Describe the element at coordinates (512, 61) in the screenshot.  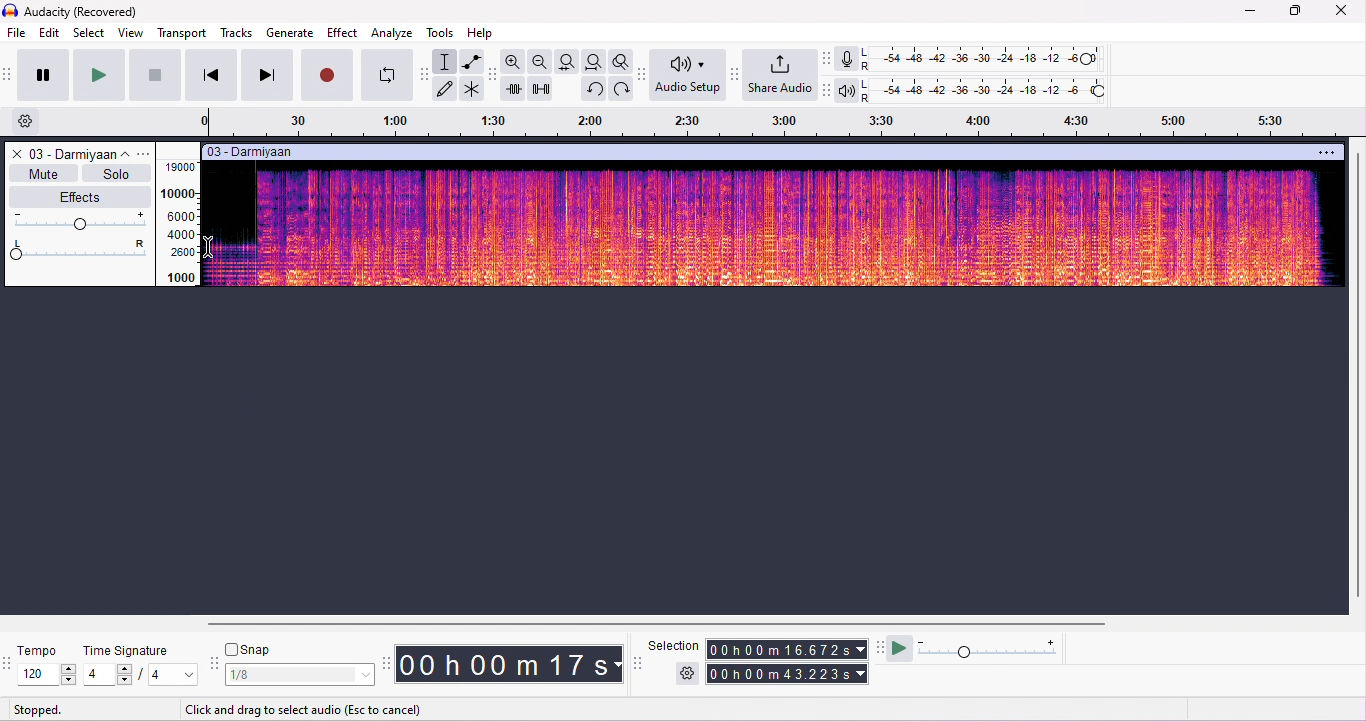
I see `zoom in` at that location.